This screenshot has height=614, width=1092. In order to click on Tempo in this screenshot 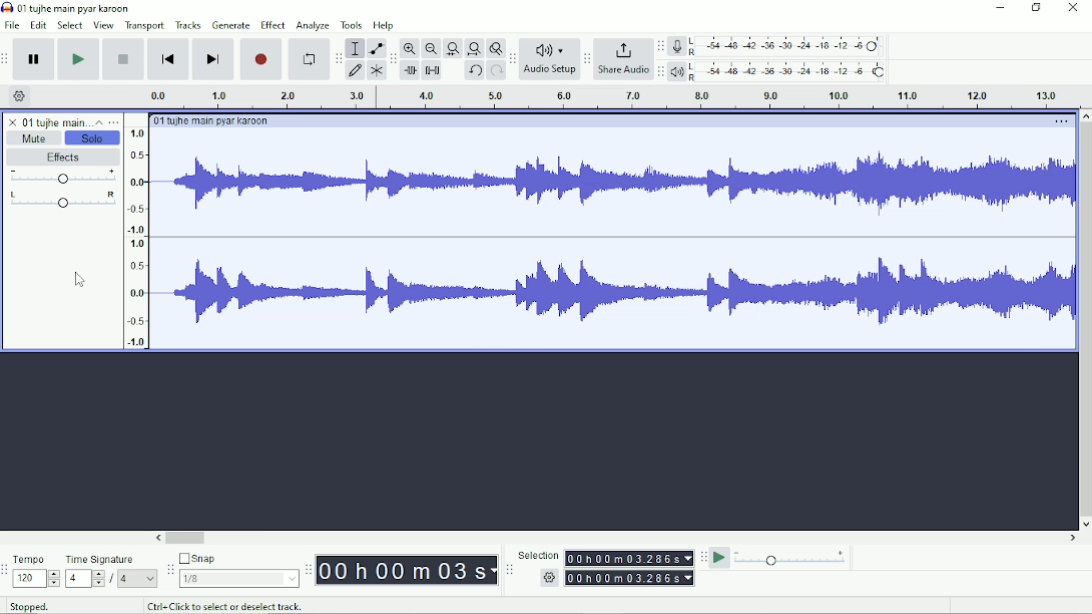, I will do `click(37, 560)`.